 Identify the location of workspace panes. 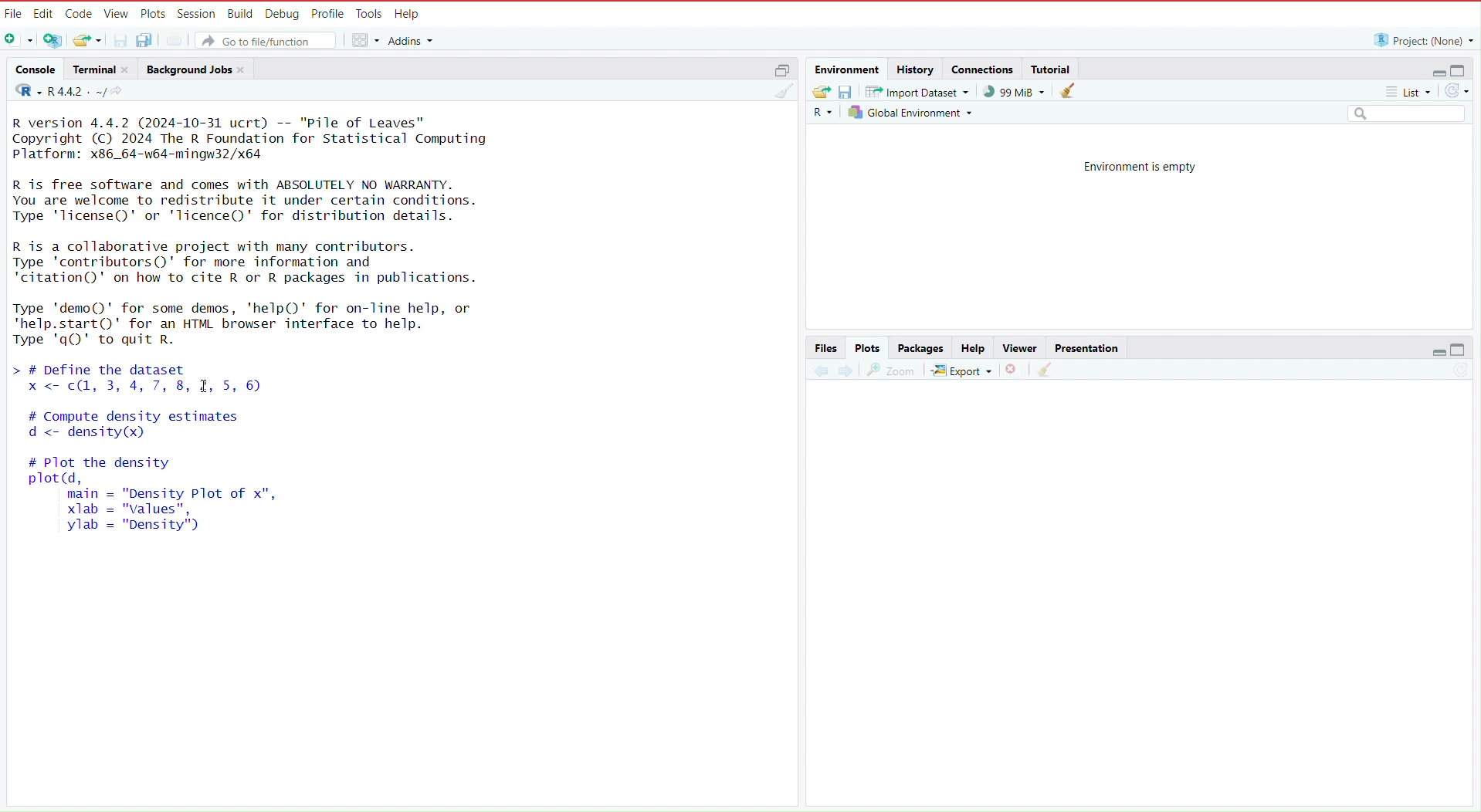
(366, 41).